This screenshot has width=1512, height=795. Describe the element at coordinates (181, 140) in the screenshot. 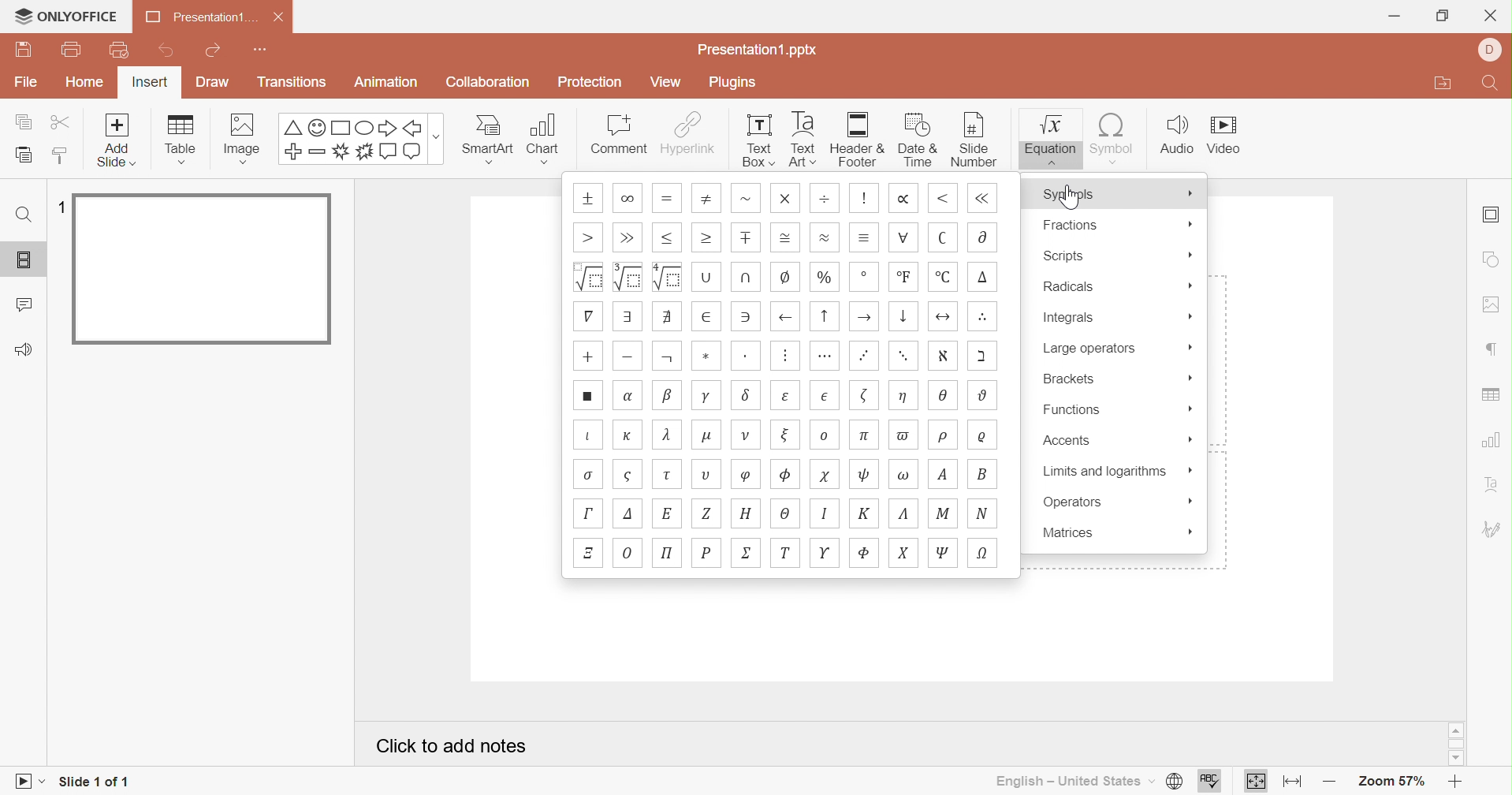

I see `Table` at that location.